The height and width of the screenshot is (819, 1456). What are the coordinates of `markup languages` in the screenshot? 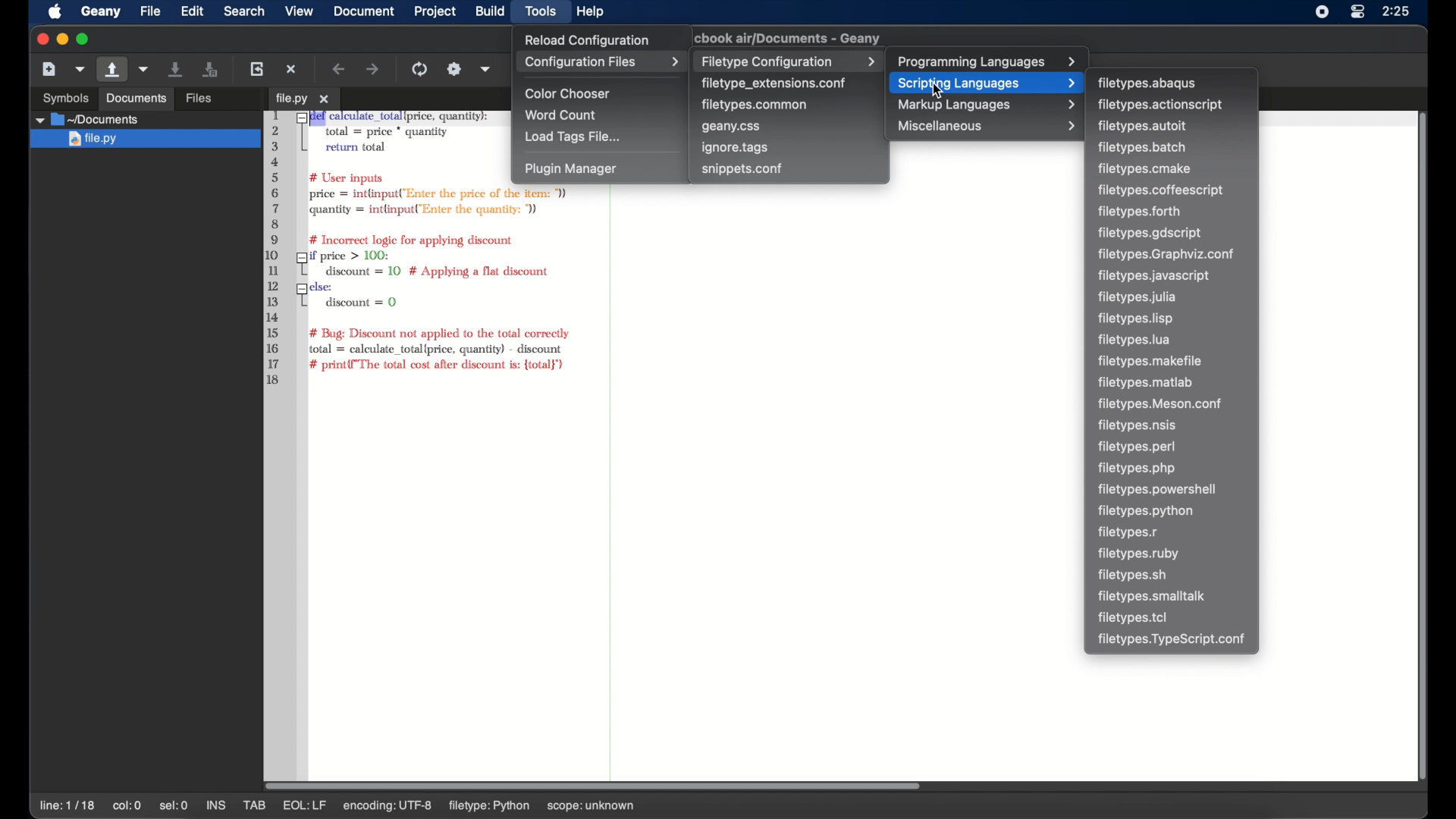 It's located at (988, 105).